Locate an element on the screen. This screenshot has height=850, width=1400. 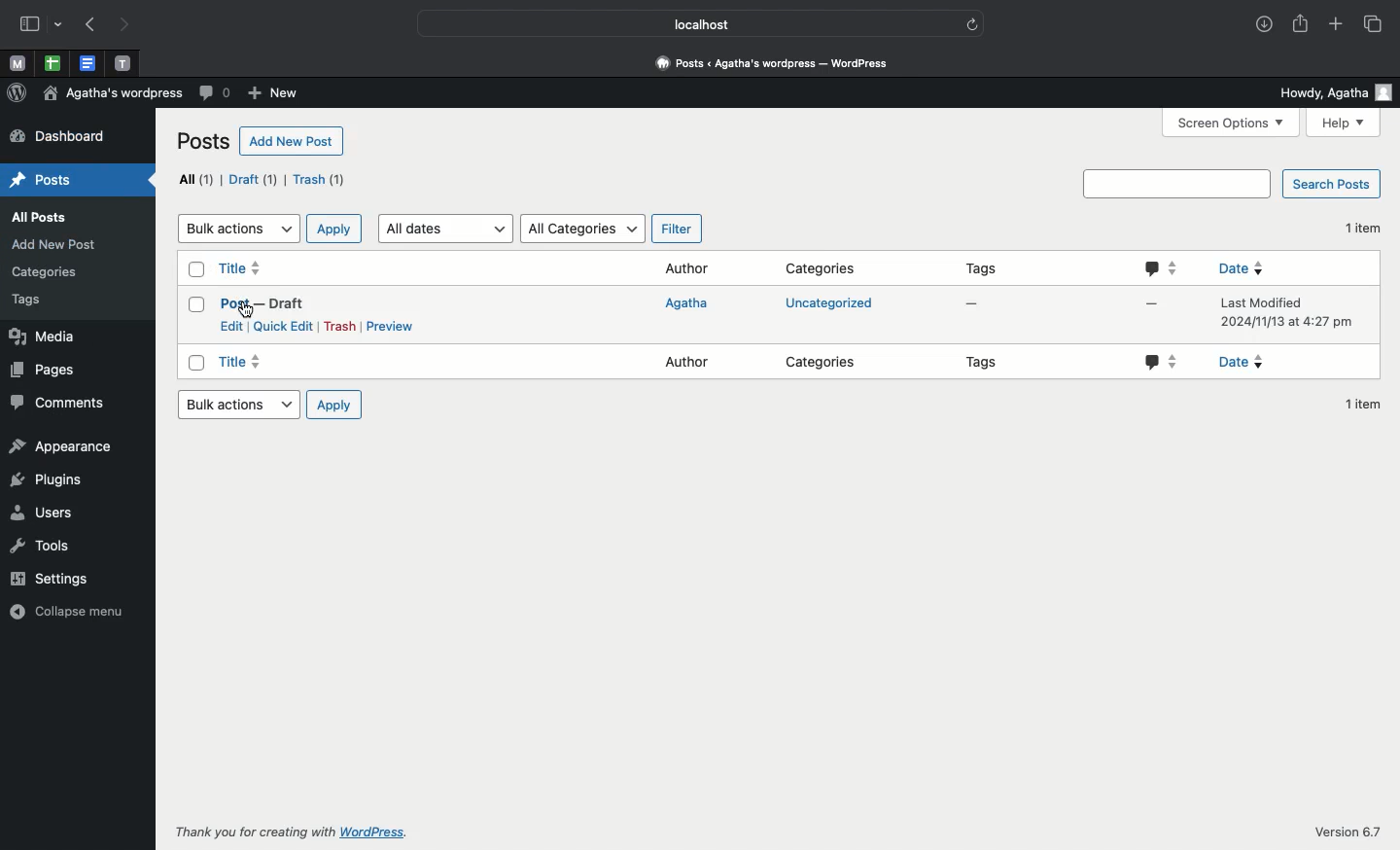
Screen options is located at coordinates (1233, 124).